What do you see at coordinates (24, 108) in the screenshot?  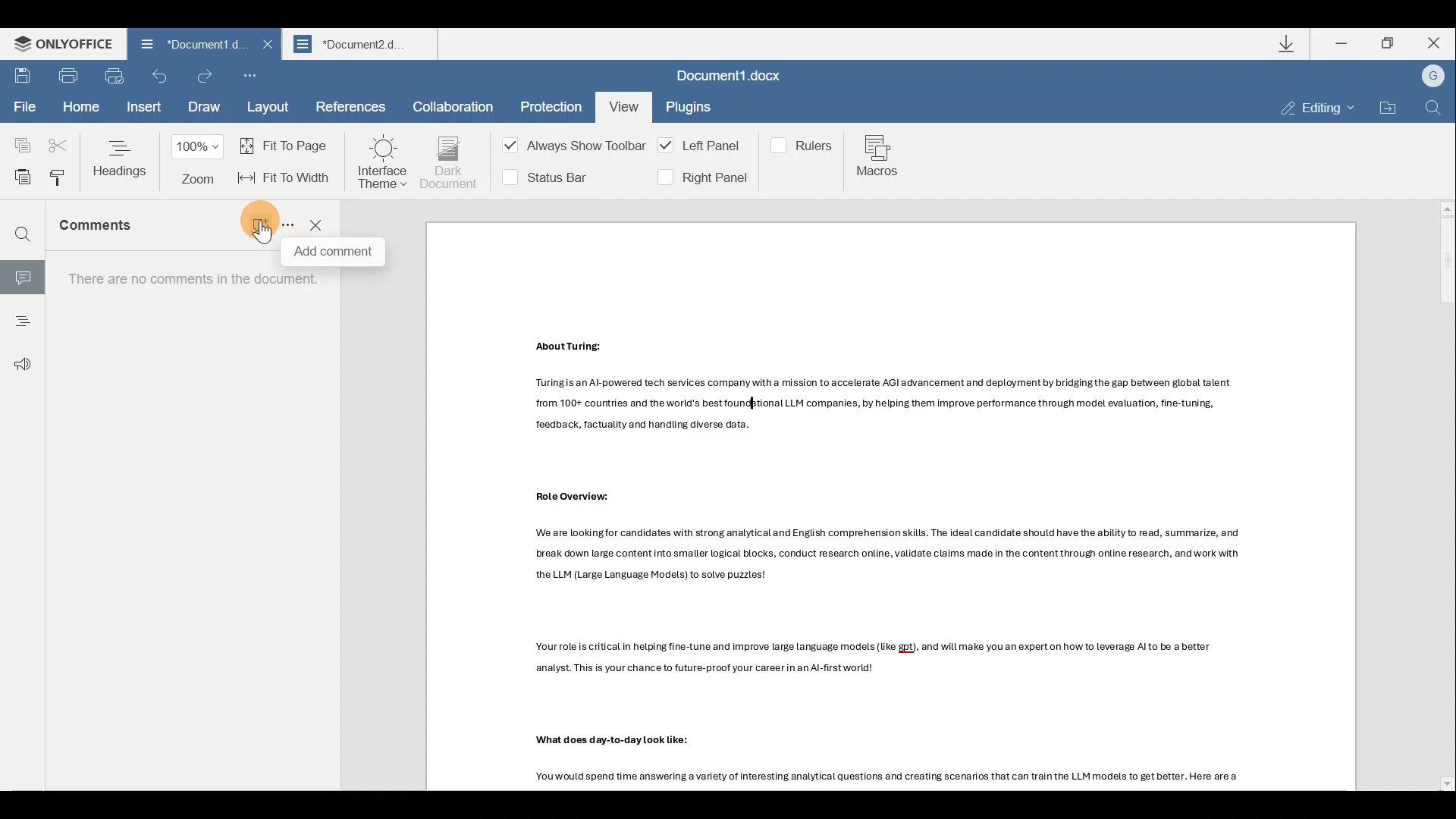 I see `File` at bounding box center [24, 108].